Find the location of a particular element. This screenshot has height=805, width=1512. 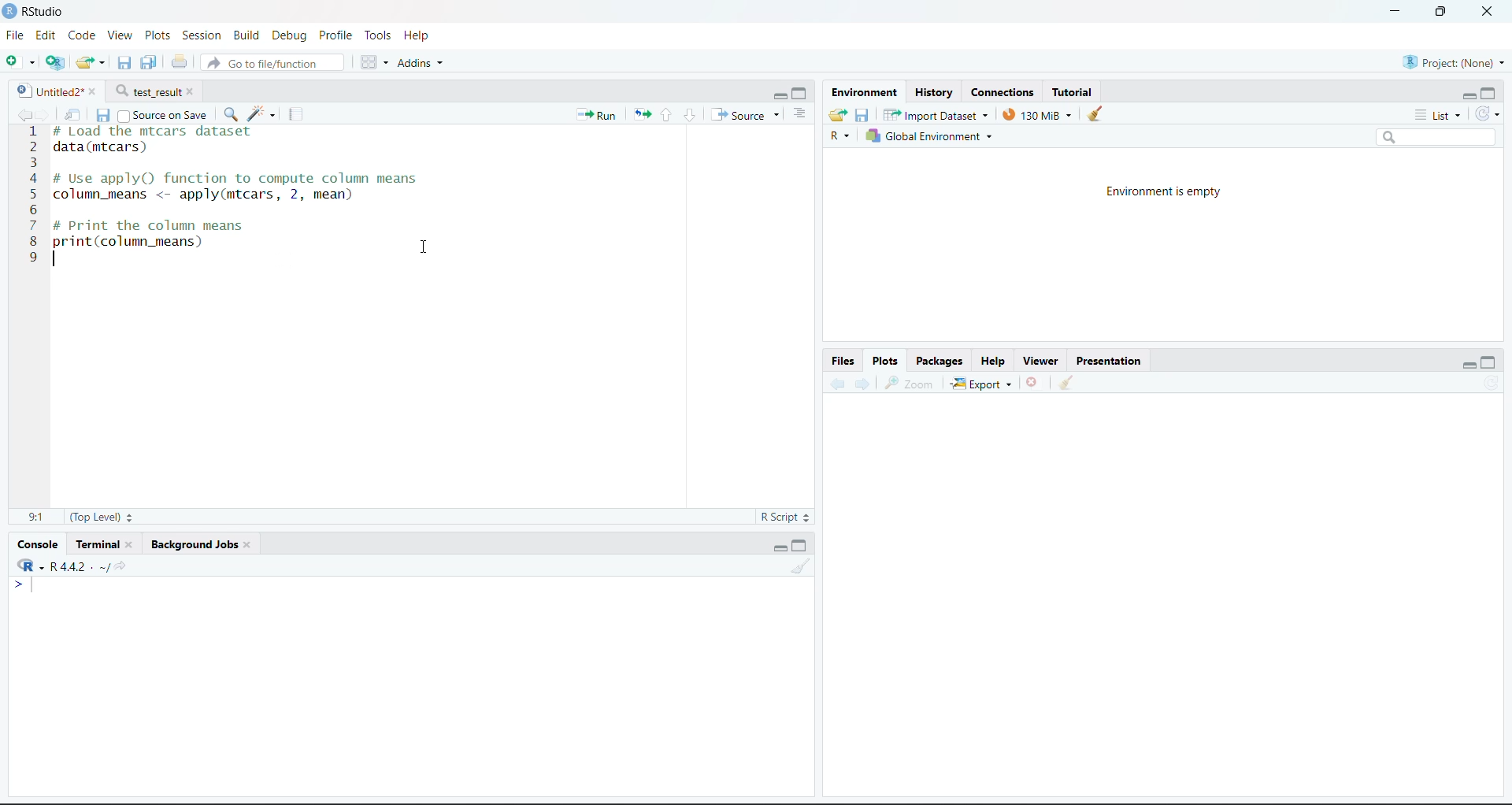

Maximize is located at coordinates (799, 93).